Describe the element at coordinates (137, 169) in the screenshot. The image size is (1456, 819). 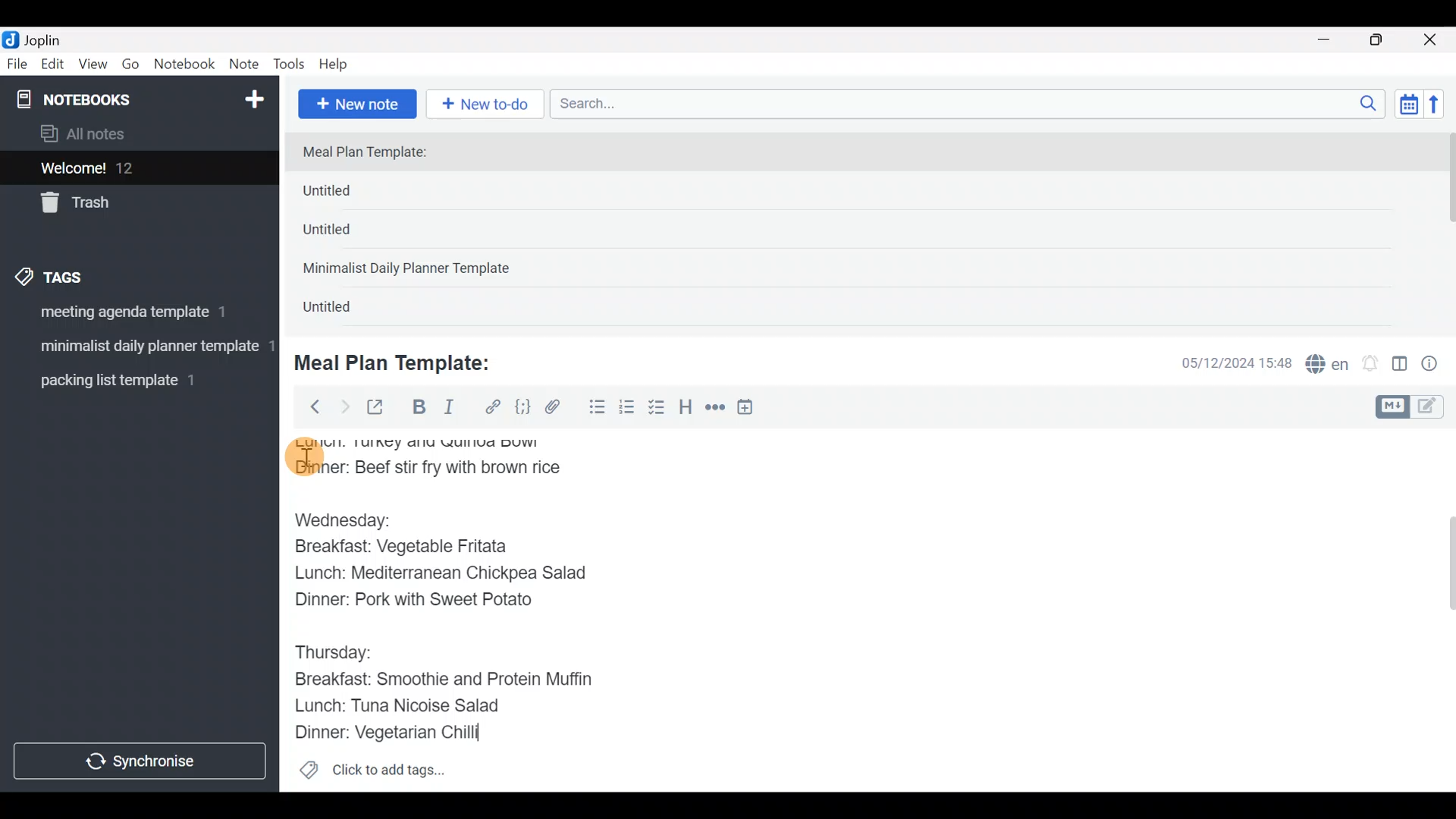
I see `Welcome!` at that location.